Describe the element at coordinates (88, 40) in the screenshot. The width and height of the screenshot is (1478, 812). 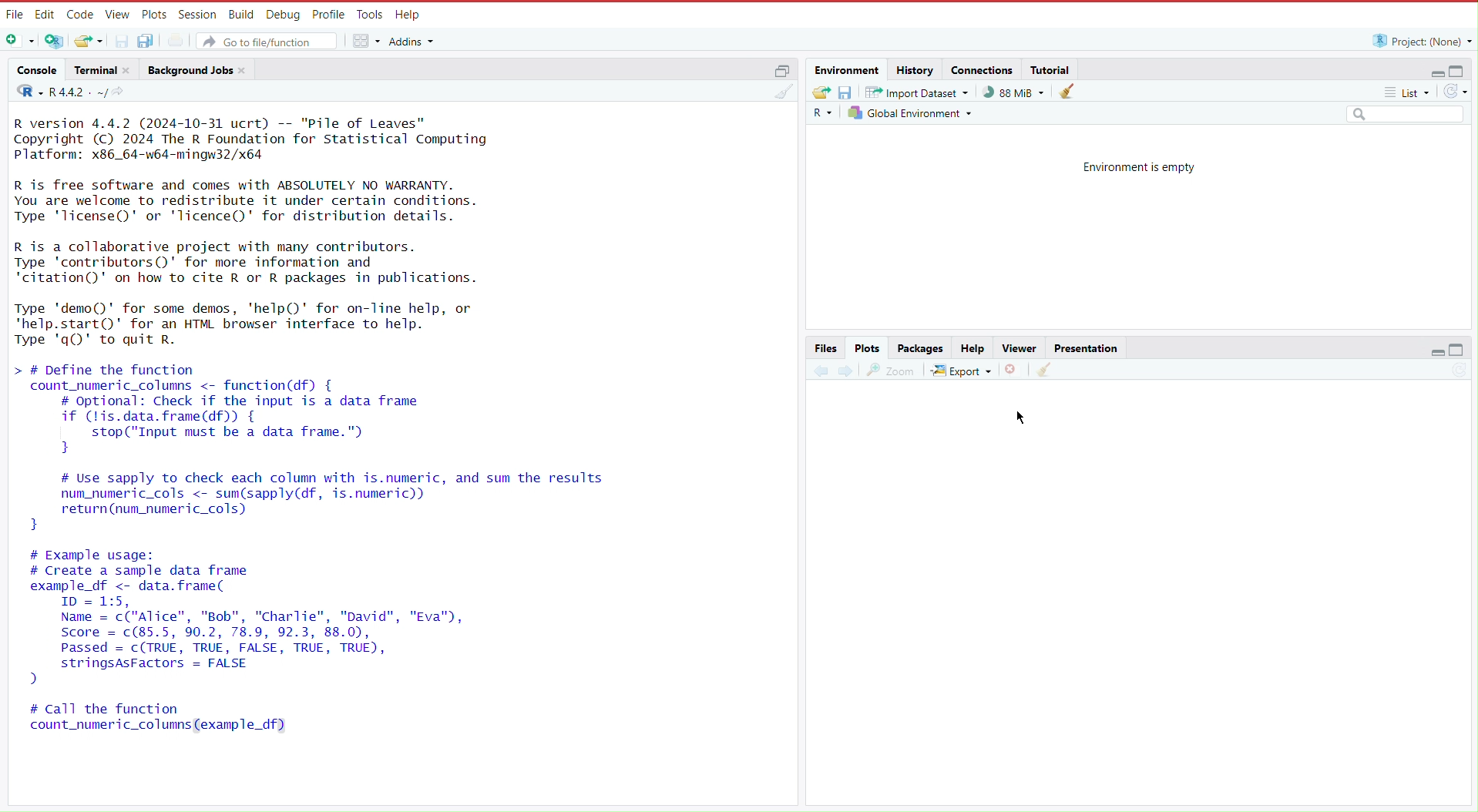
I see `Open an existing file (Ctrl + O)` at that location.